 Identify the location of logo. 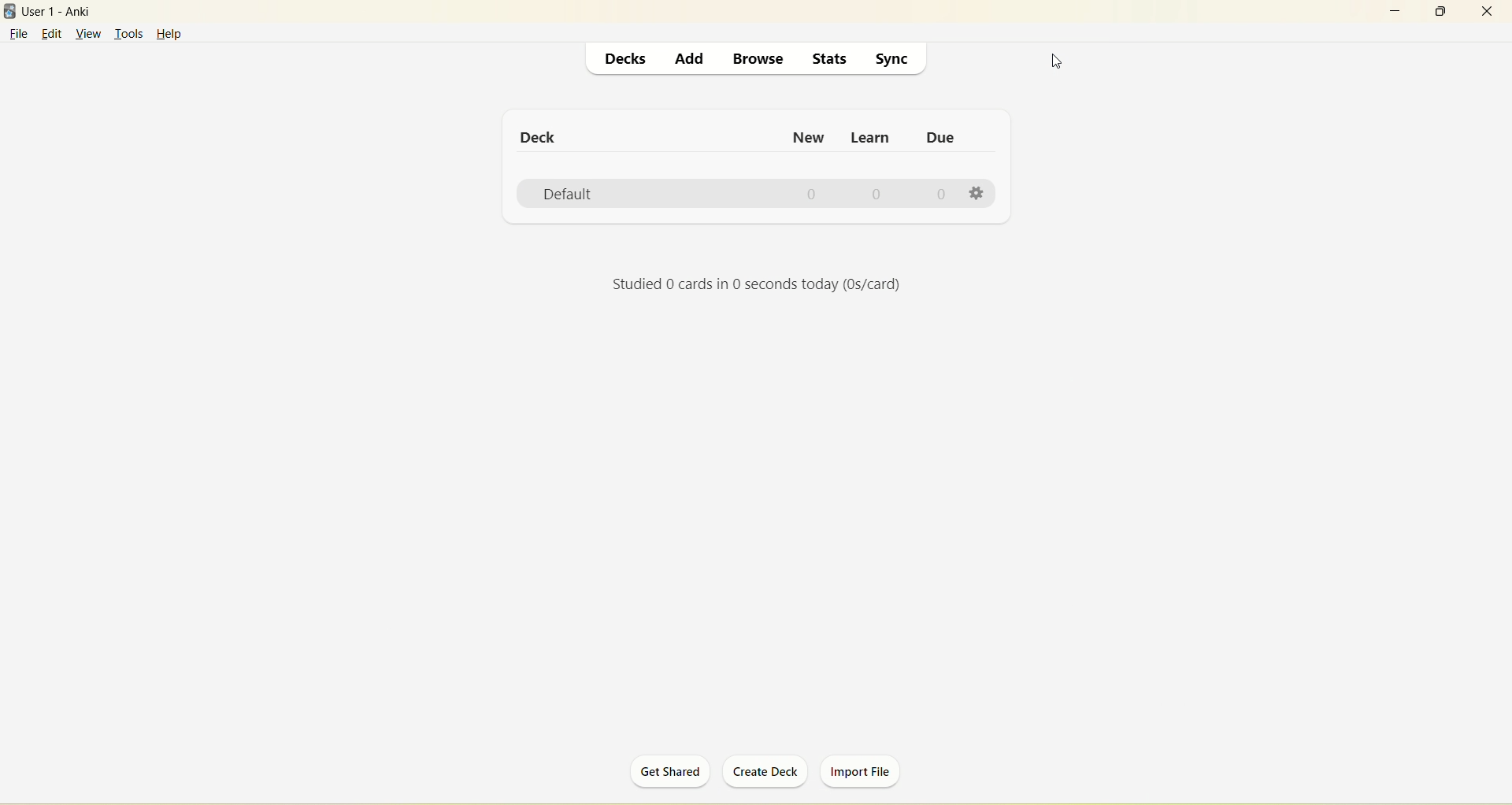
(10, 12).